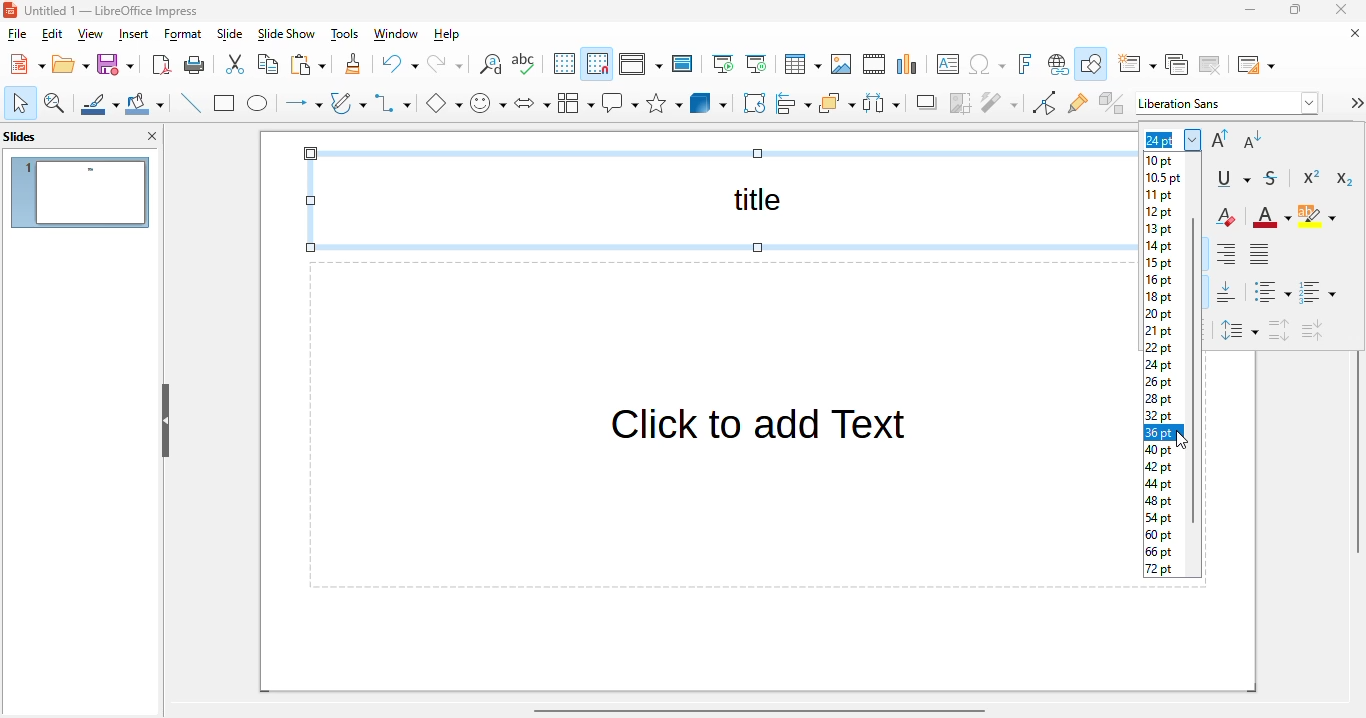  I want to click on arrange, so click(837, 103).